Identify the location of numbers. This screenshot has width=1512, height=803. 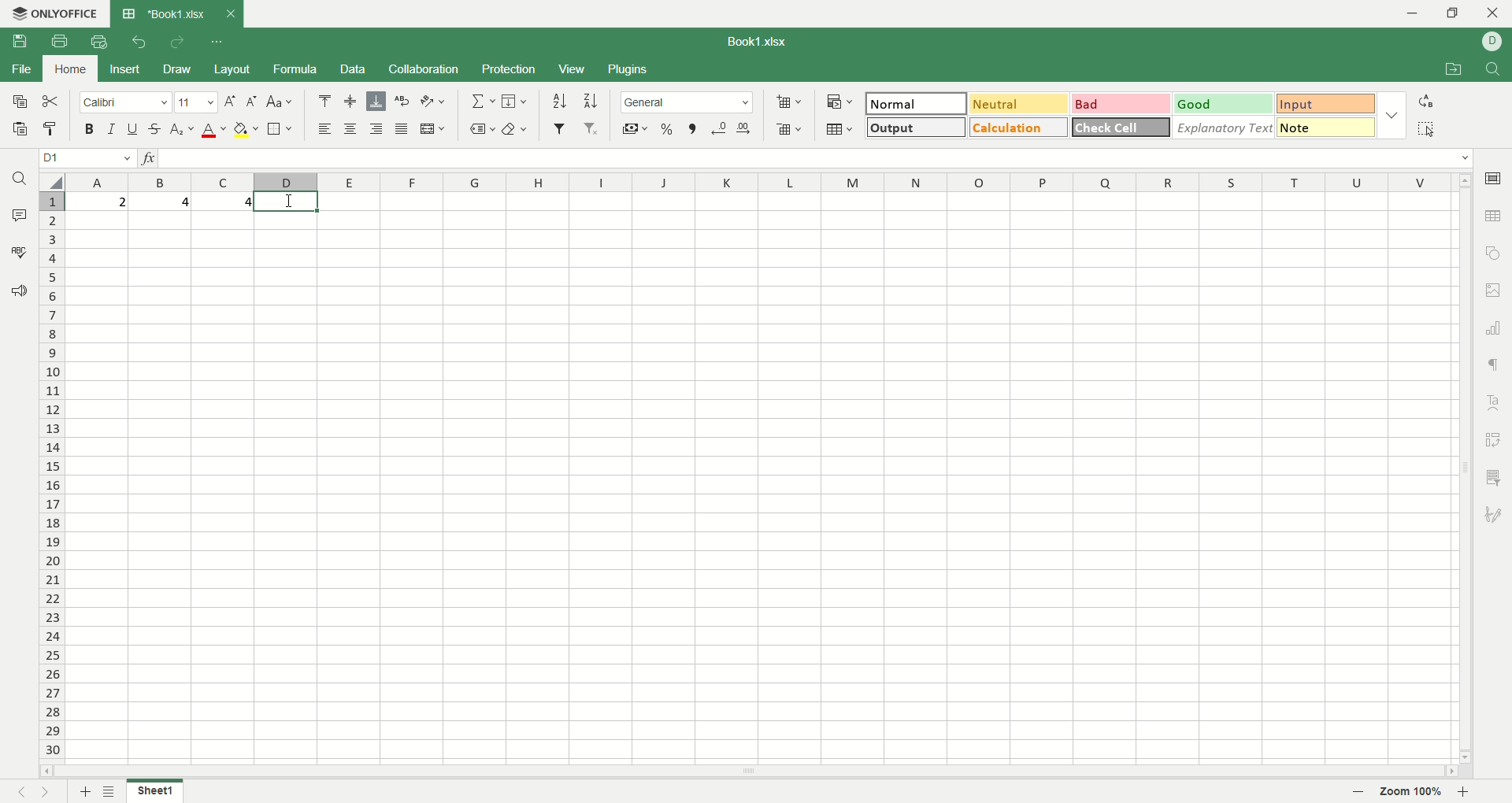
(161, 202).